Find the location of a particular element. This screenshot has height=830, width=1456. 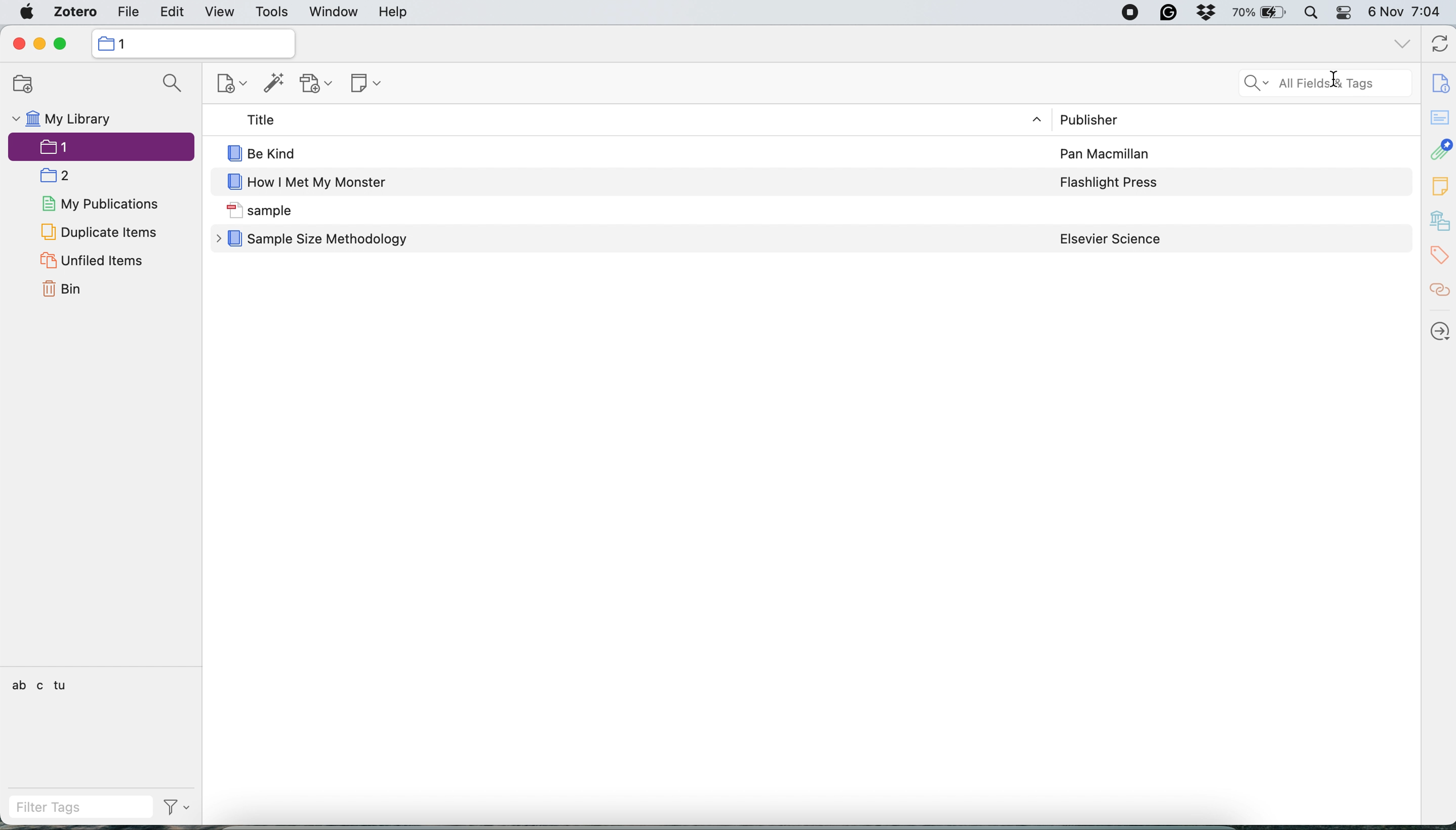

abstract is located at coordinates (1439, 117).